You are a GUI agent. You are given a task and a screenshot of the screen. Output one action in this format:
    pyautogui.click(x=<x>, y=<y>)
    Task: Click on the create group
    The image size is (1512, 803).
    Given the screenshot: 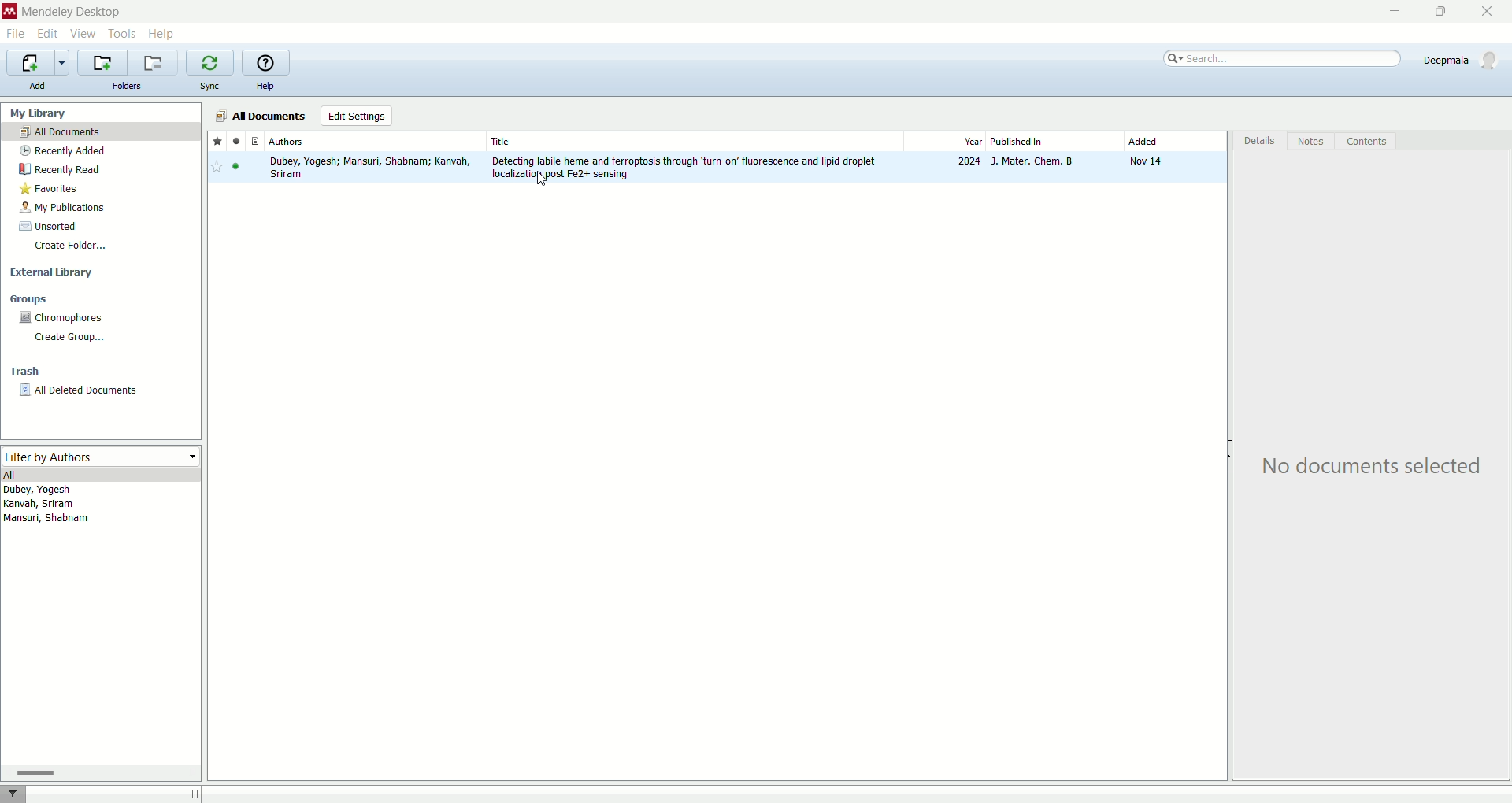 What is the action you would take?
    pyautogui.click(x=73, y=339)
    